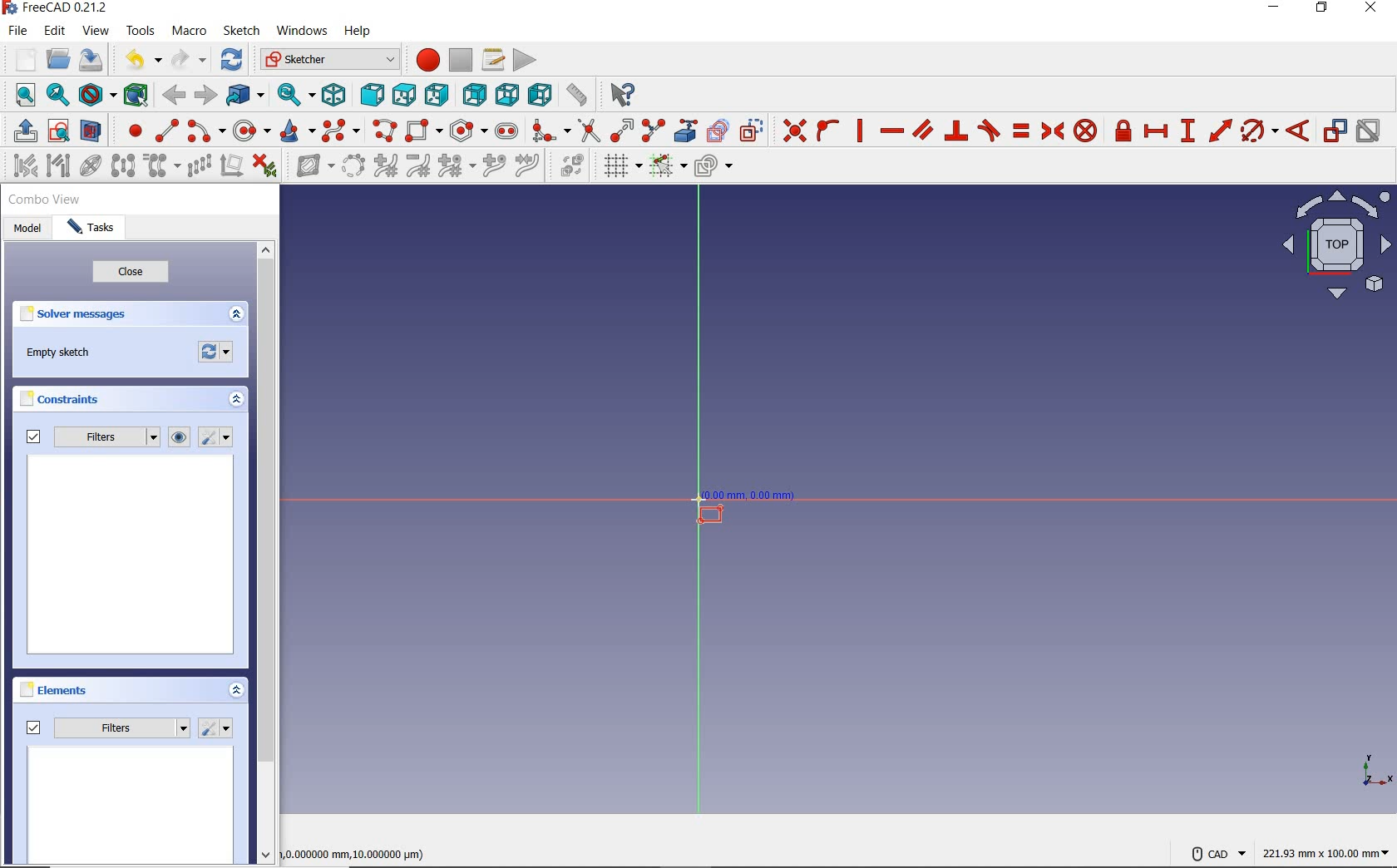  Describe the element at coordinates (1123, 131) in the screenshot. I see `constrain lock` at that location.